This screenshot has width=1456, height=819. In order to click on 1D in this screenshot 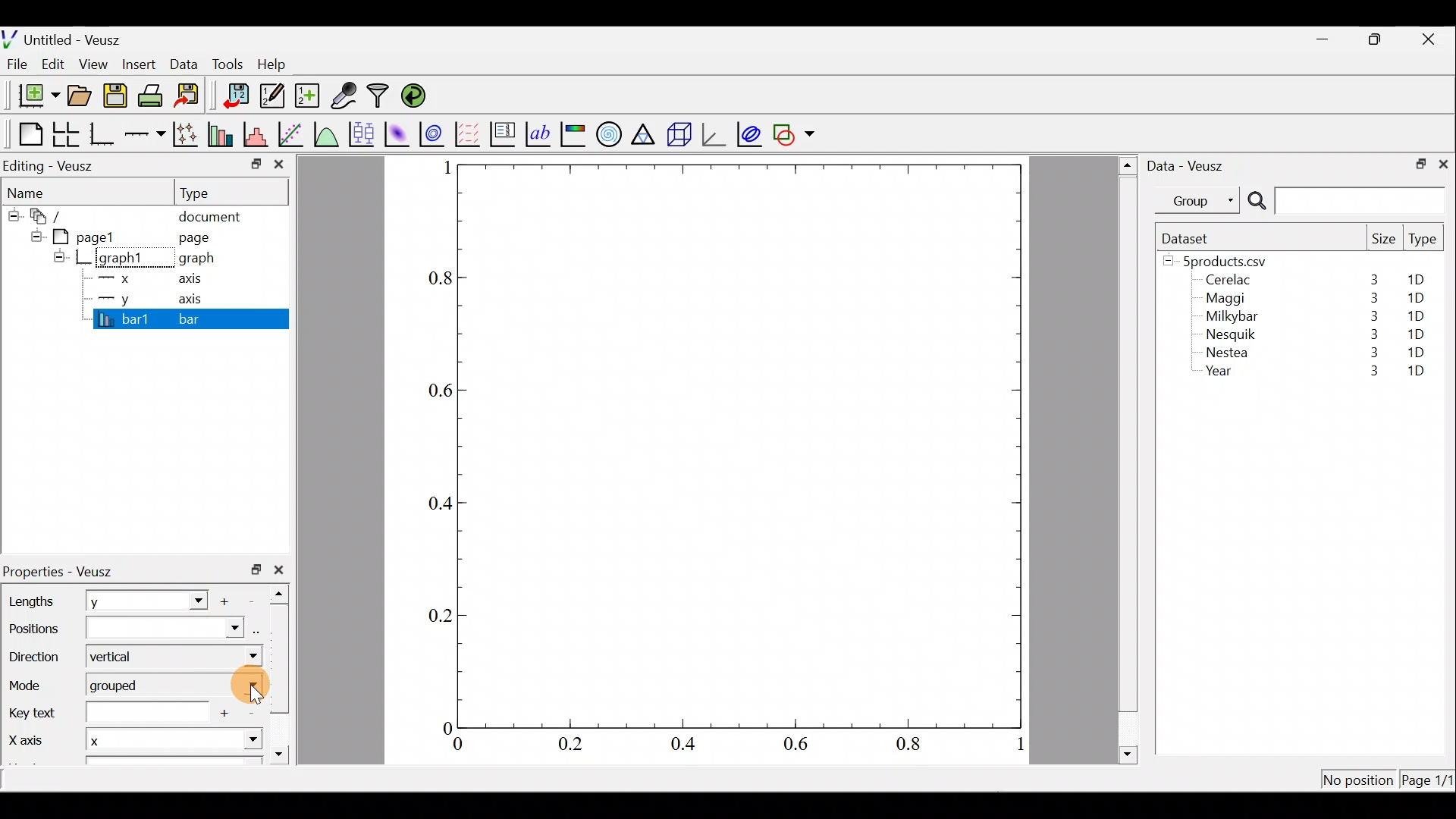, I will do `click(1416, 372)`.